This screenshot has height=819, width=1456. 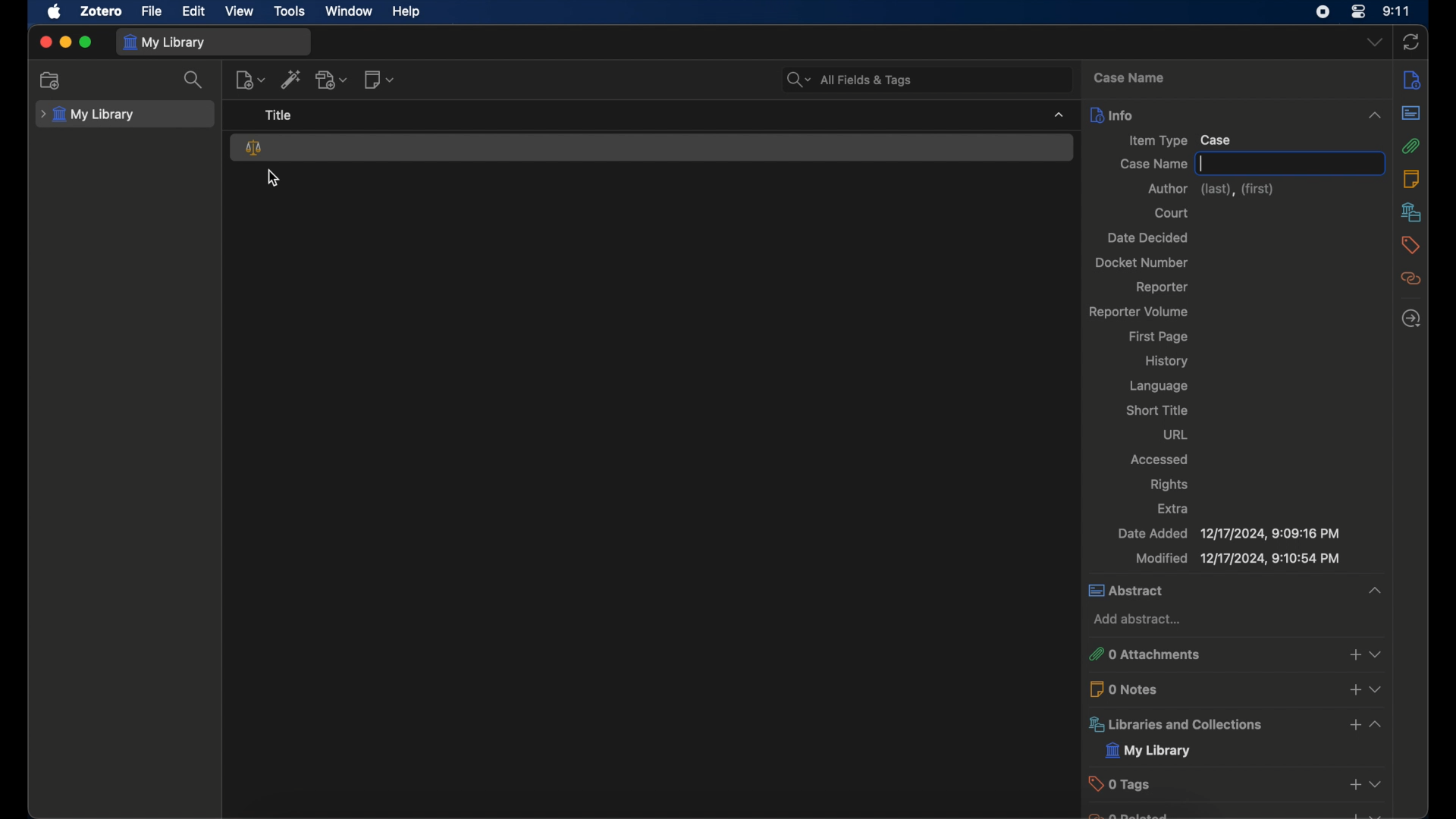 I want to click on history, so click(x=1168, y=362).